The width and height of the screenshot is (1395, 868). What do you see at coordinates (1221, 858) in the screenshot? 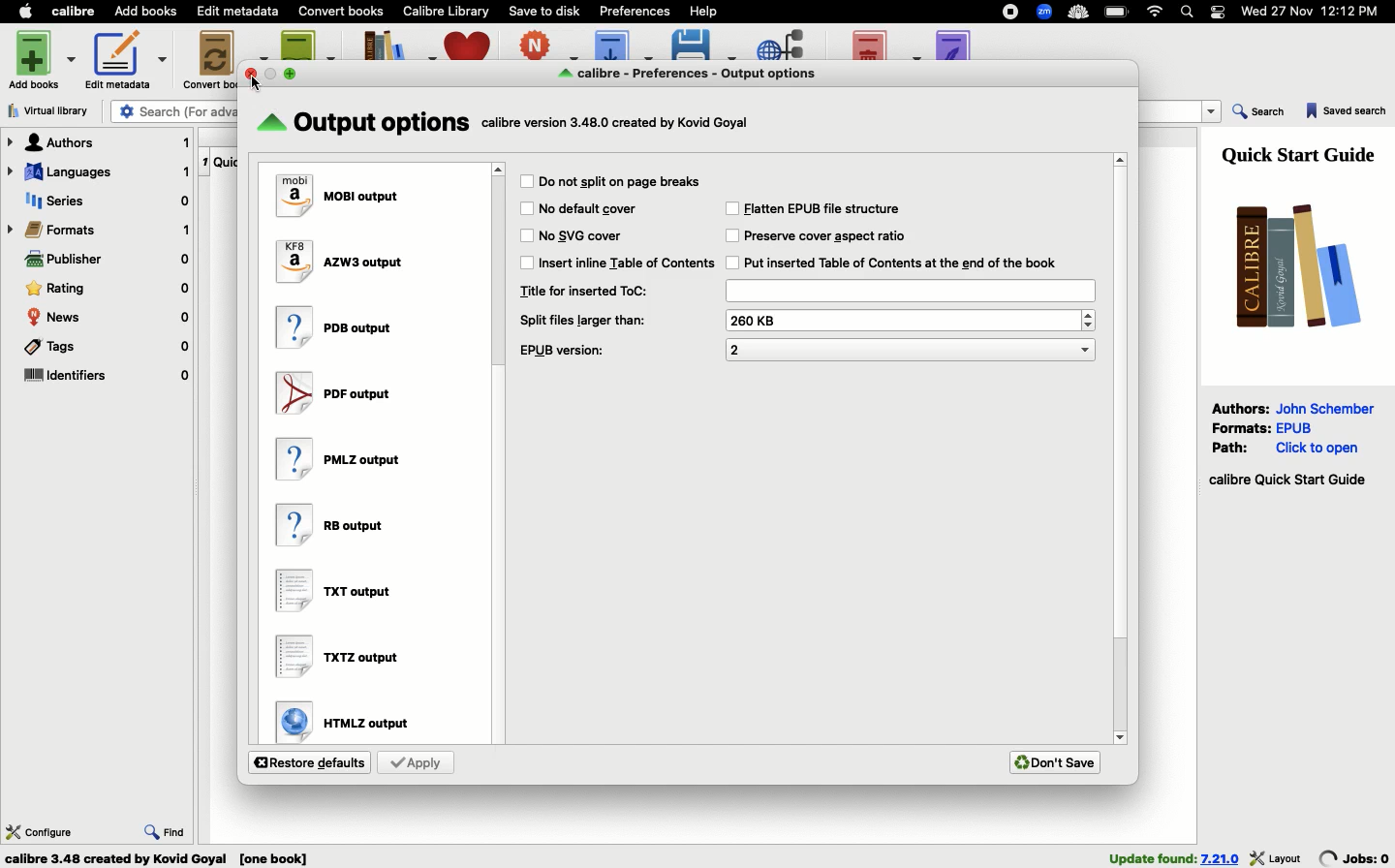
I see `version` at bounding box center [1221, 858].